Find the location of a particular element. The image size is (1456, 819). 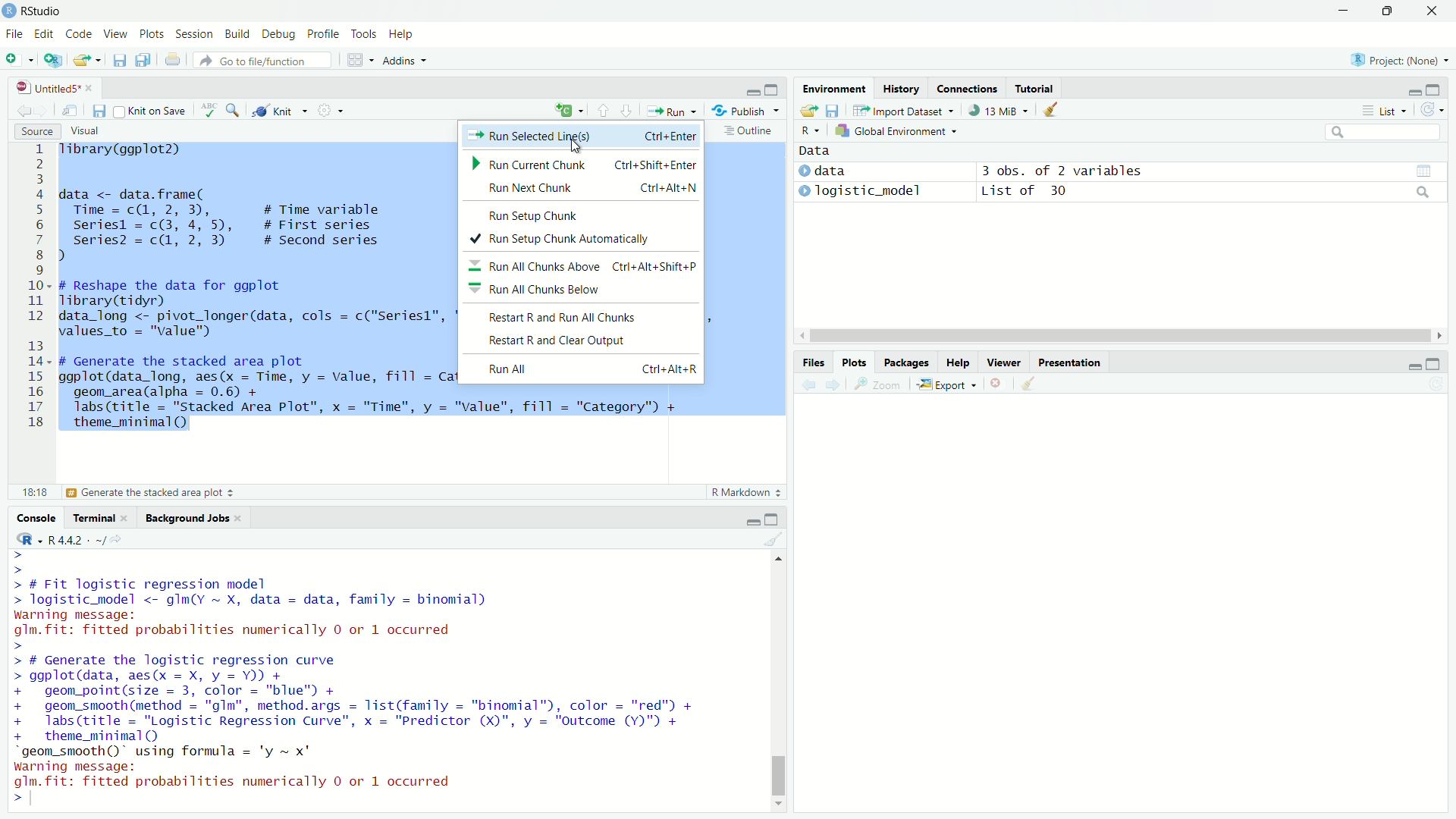

Presentation is located at coordinates (1072, 362).